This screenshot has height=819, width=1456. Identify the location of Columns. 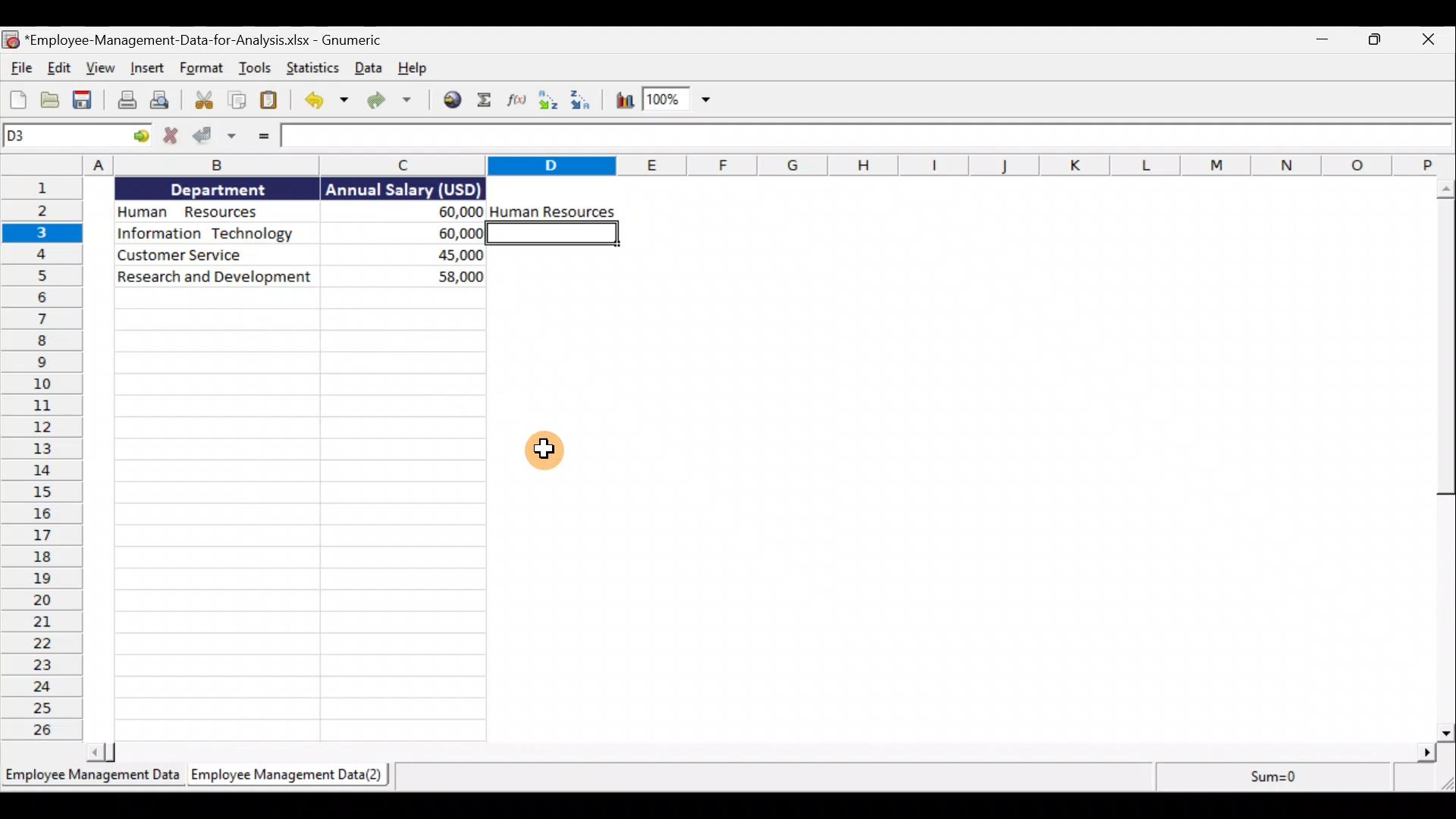
(724, 164).